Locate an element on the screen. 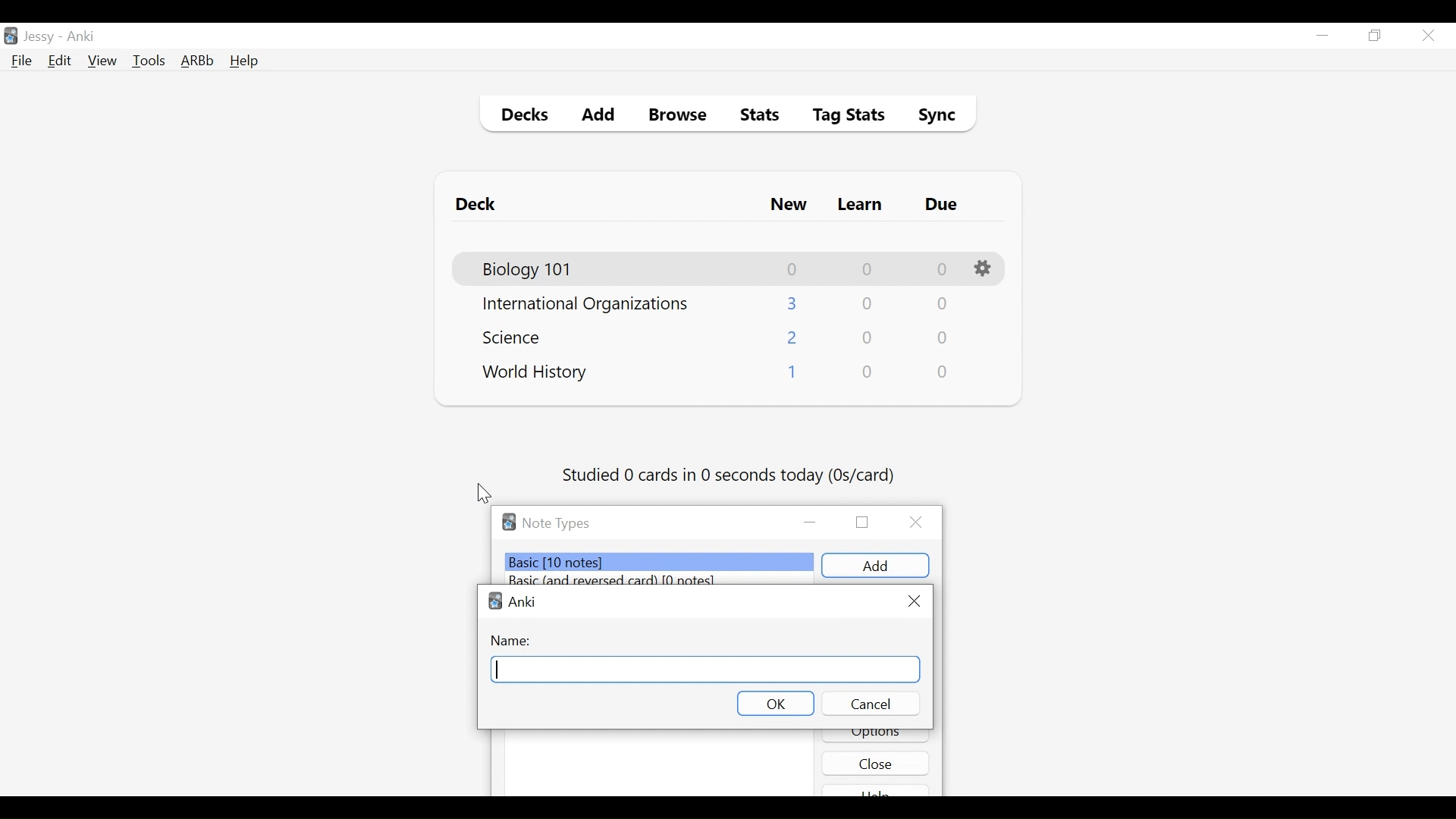 The image size is (1456, 819). New Card Count is located at coordinates (793, 303).